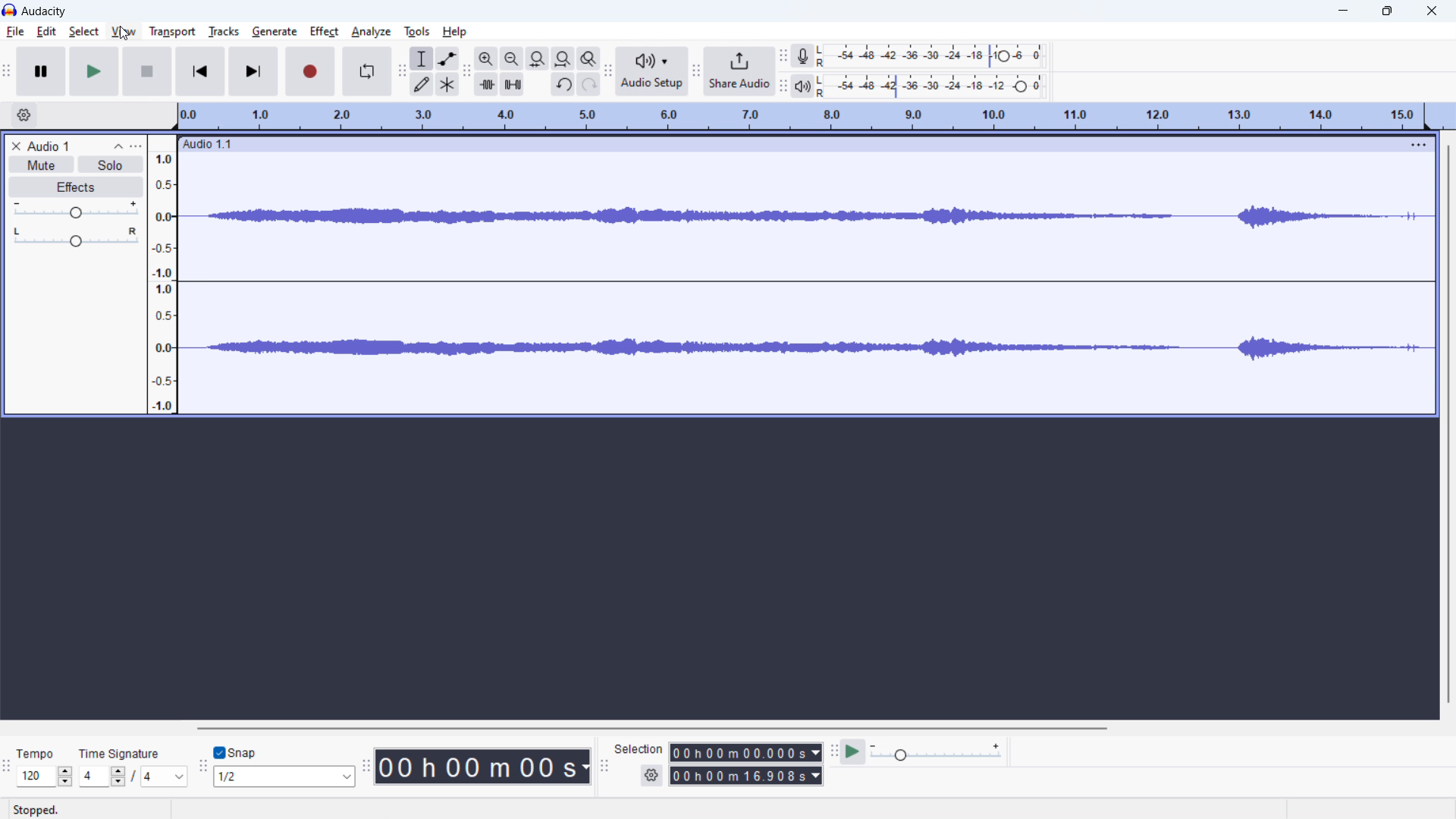 The width and height of the screenshot is (1456, 819). What do you see at coordinates (366, 765) in the screenshot?
I see `time toolbar` at bounding box center [366, 765].